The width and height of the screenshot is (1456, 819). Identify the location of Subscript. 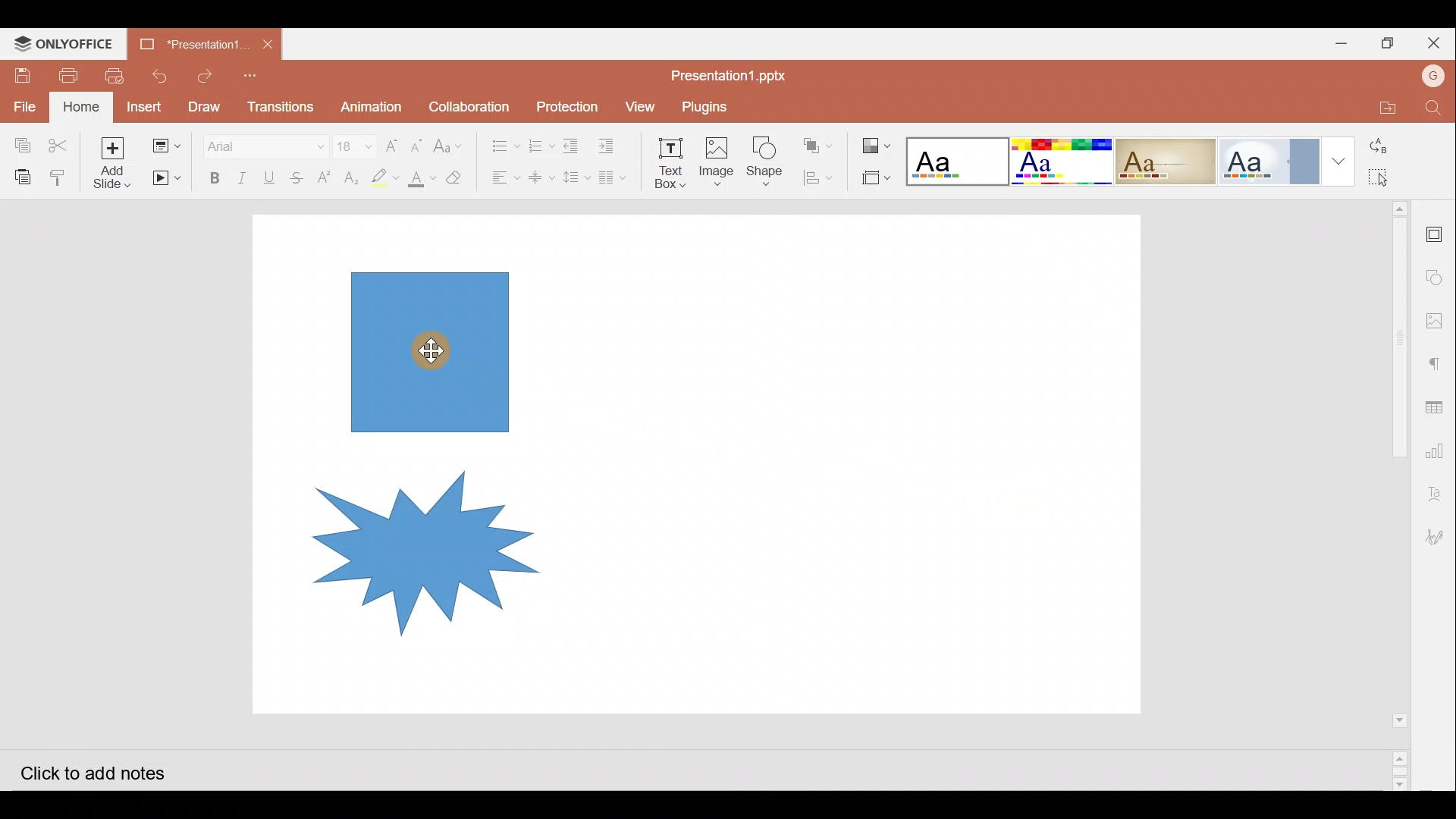
(351, 175).